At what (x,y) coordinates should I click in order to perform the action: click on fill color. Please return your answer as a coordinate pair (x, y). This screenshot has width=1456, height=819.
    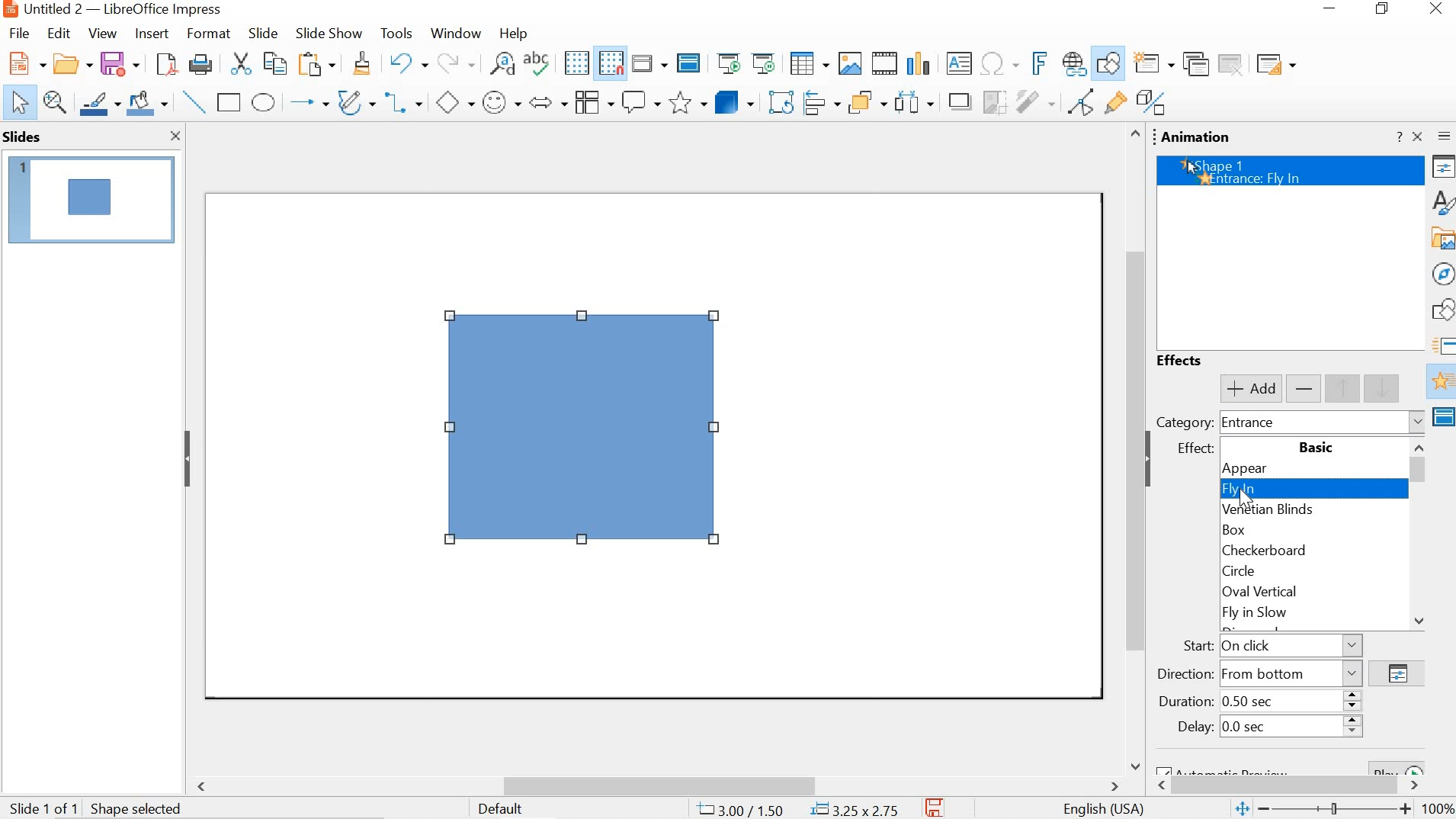
    Looking at the image, I should click on (146, 101).